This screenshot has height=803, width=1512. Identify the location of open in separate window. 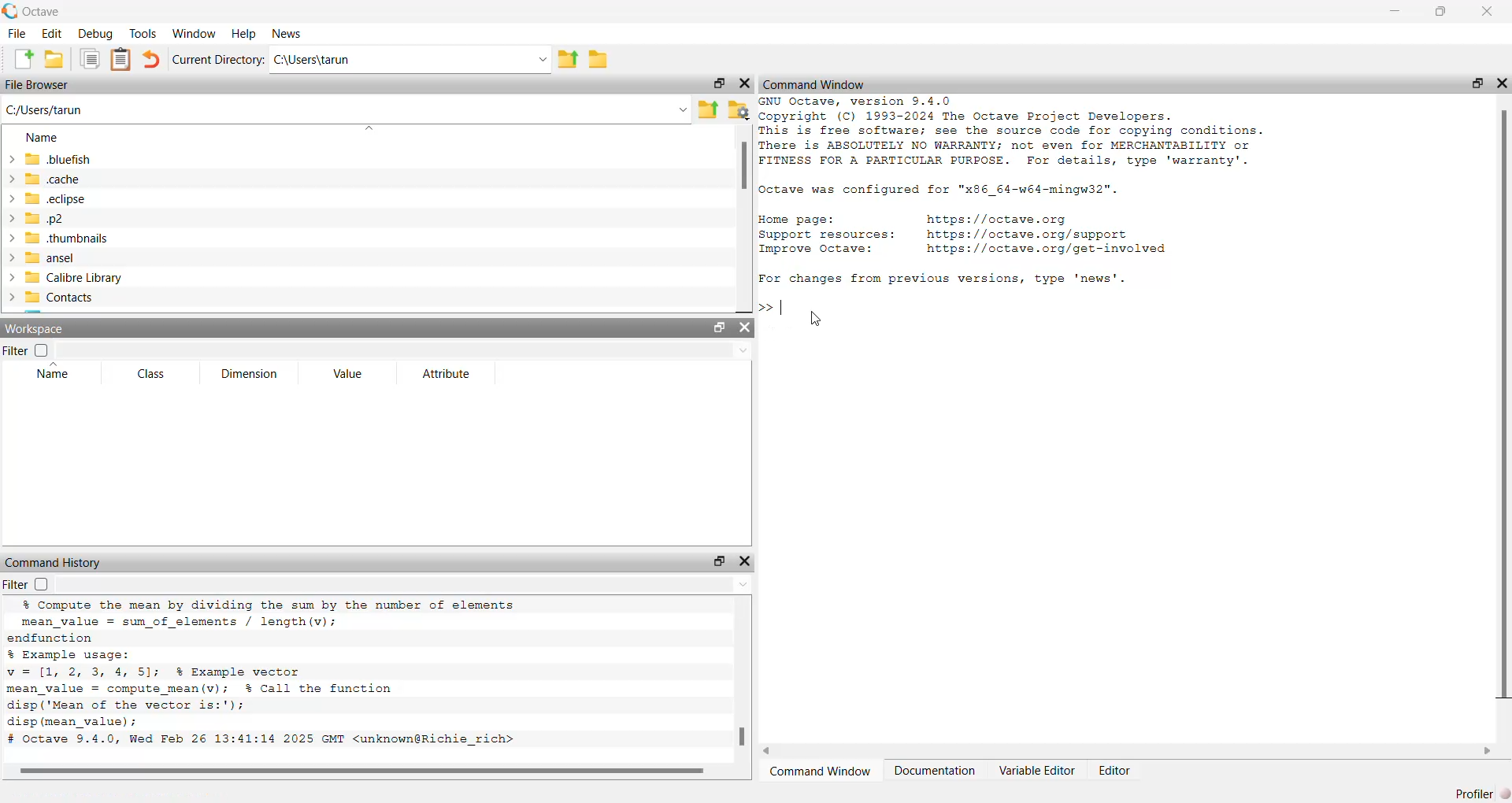
(721, 327).